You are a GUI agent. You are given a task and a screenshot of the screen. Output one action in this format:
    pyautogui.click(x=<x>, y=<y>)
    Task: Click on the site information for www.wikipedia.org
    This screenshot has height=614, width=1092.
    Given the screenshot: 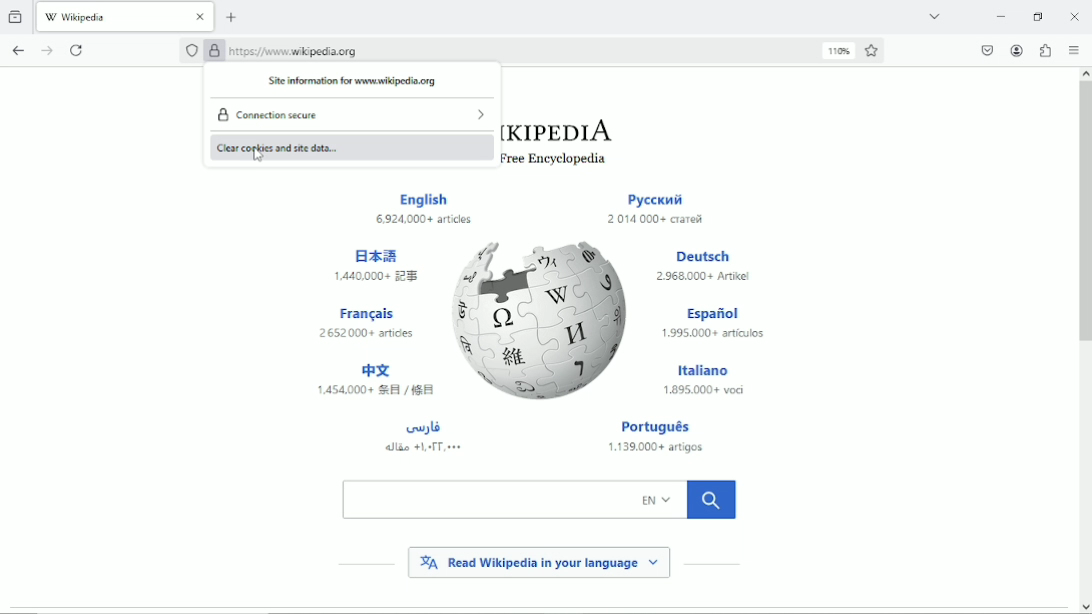 What is the action you would take?
    pyautogui.click(x=353, y=82)
    